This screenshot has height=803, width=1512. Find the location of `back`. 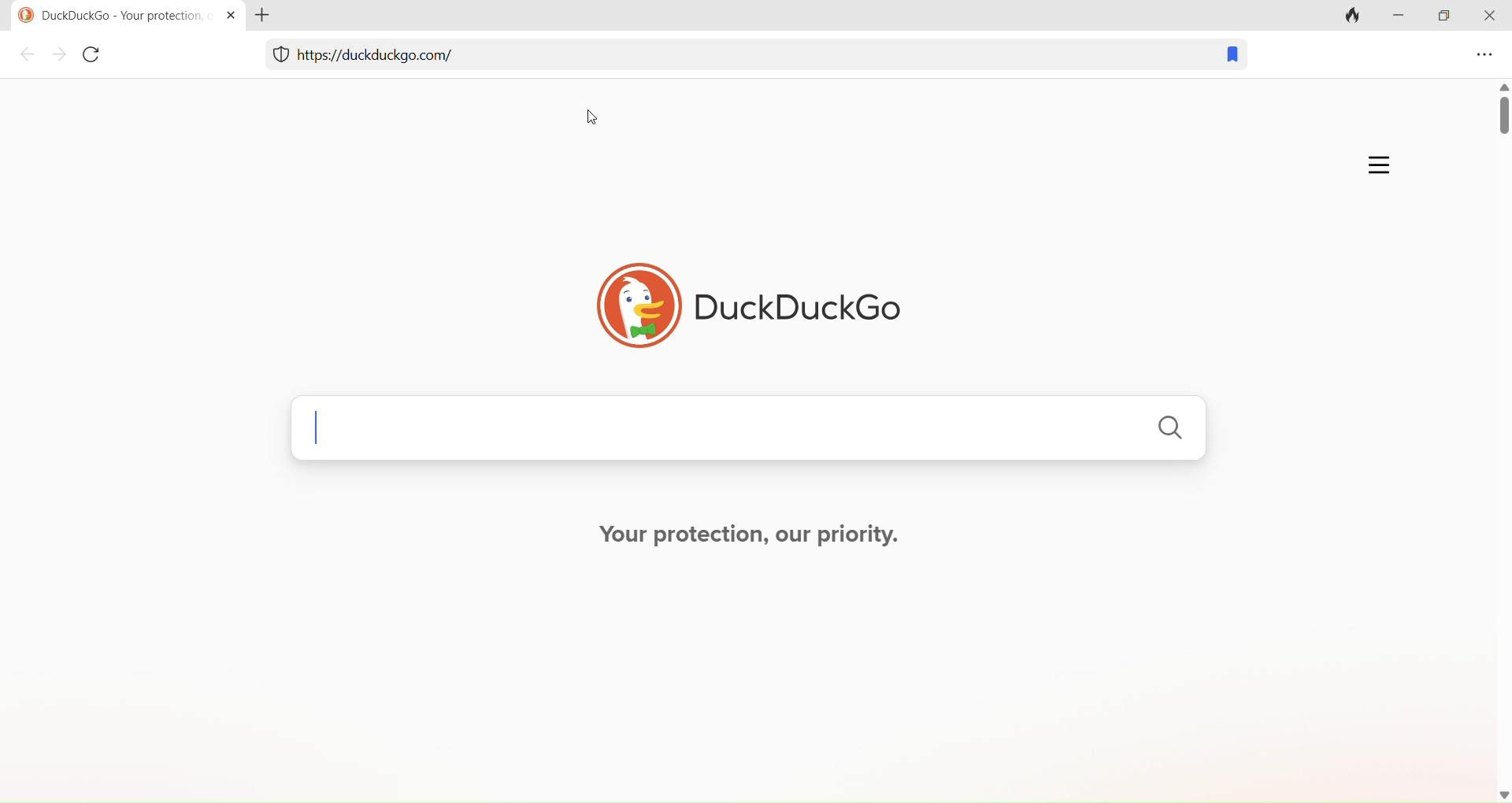

back is located at coordinates (28, 56).